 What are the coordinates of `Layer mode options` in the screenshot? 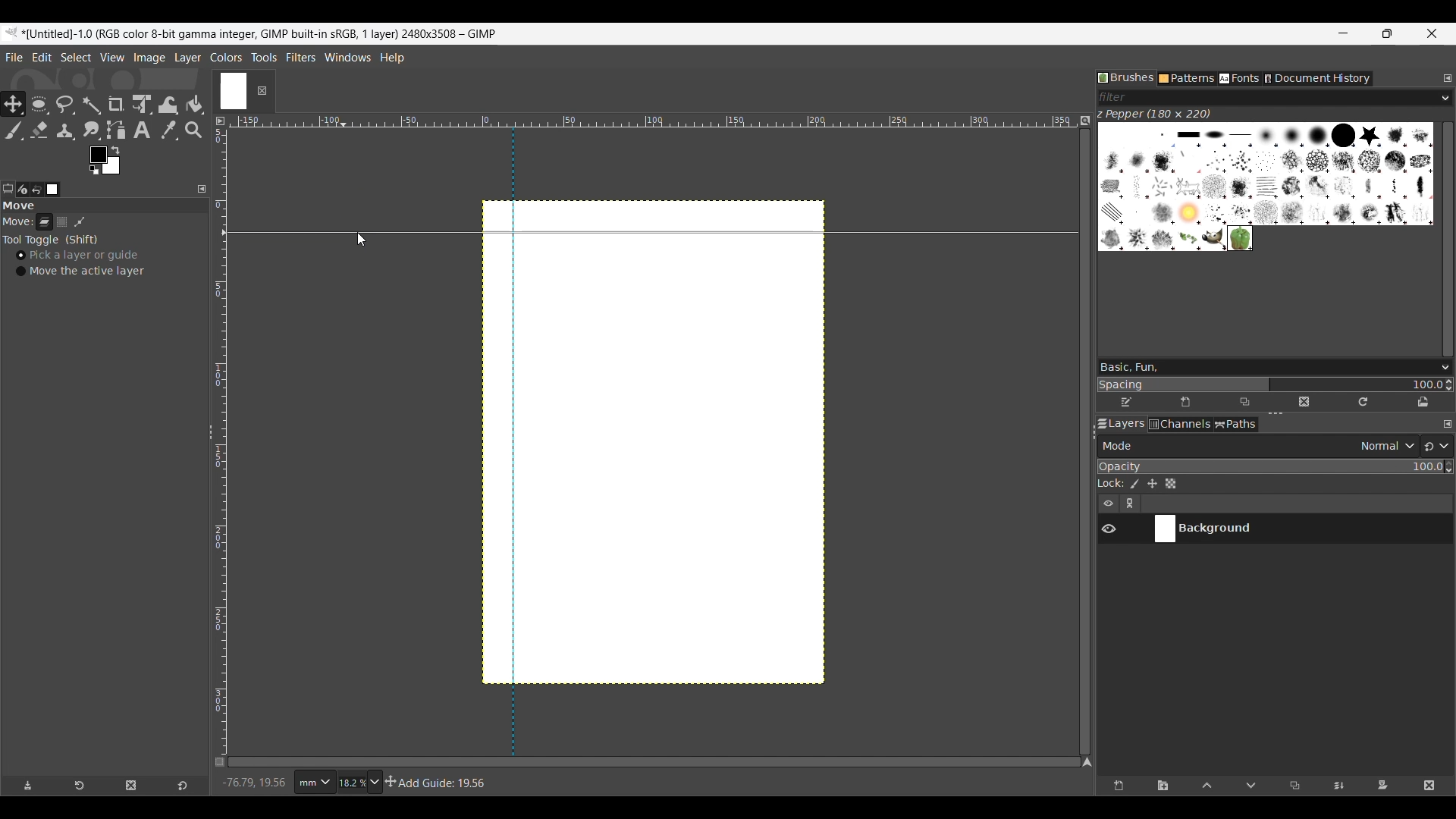 It's located at (1257, 446).